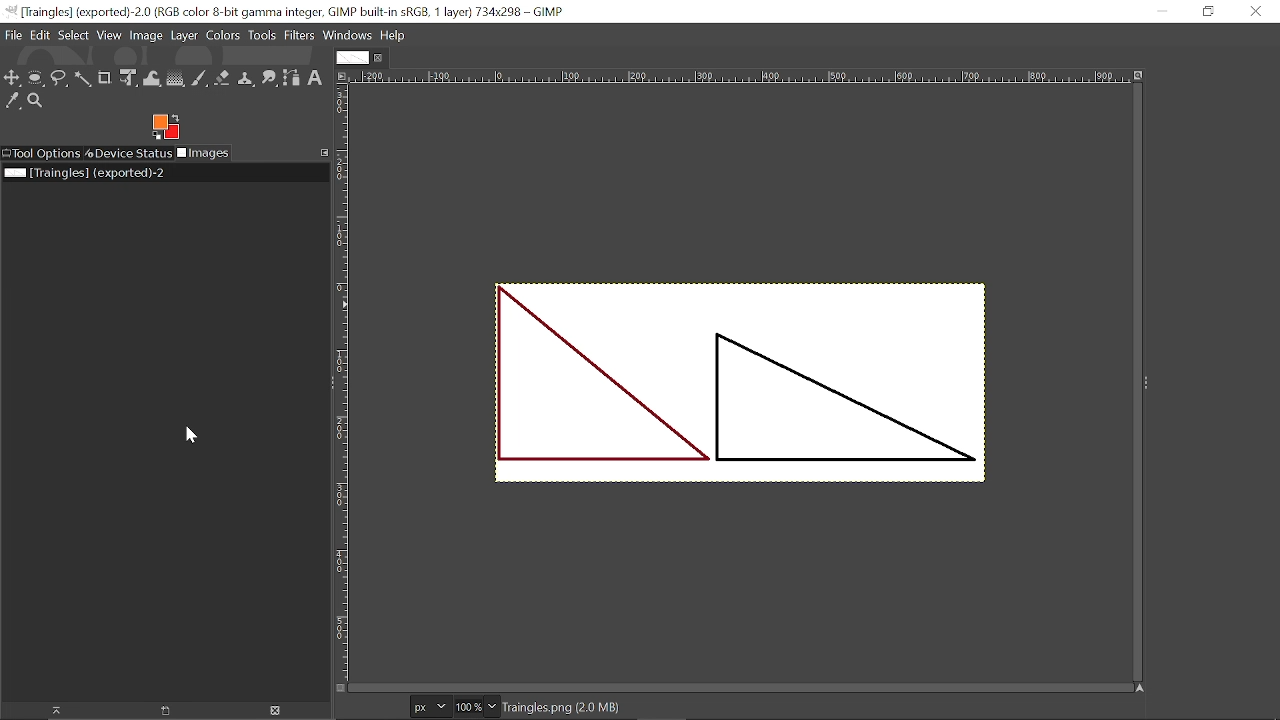 Image resolution: width=1280 pixels, height=720 pixels. What do you see at coordinates (468, 706) in the screenshot?
I see `Current zoom` at bounding box center [468, 706].